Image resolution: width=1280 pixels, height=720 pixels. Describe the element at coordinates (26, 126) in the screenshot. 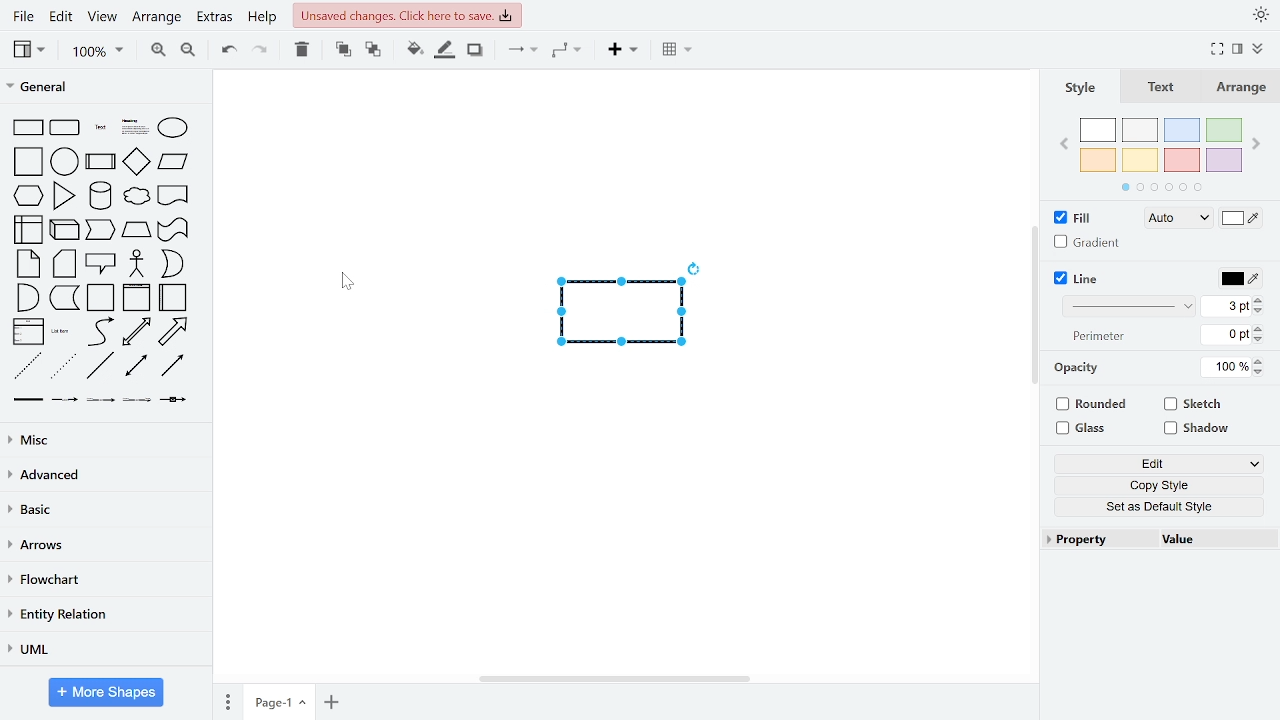

I see `general shapes` at that location.